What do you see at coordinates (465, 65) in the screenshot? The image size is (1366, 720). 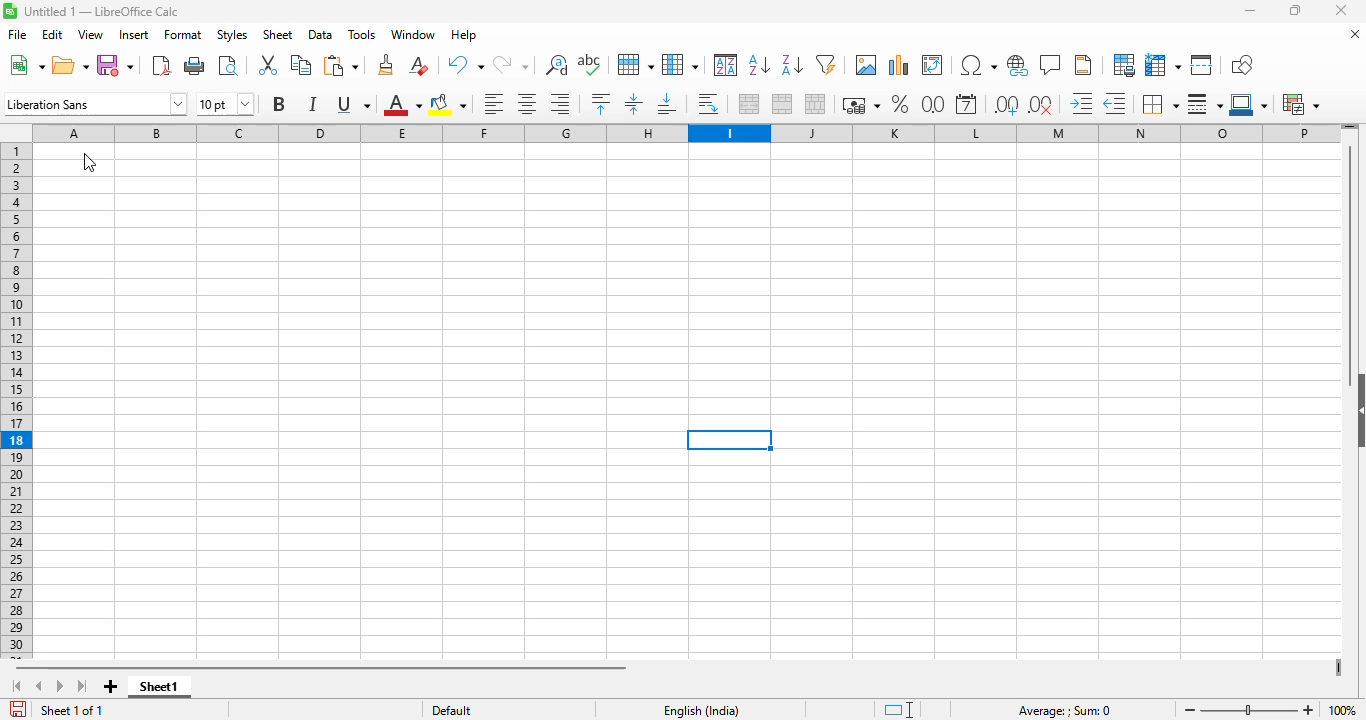 I see `undo` at bounding box center [465, 65].